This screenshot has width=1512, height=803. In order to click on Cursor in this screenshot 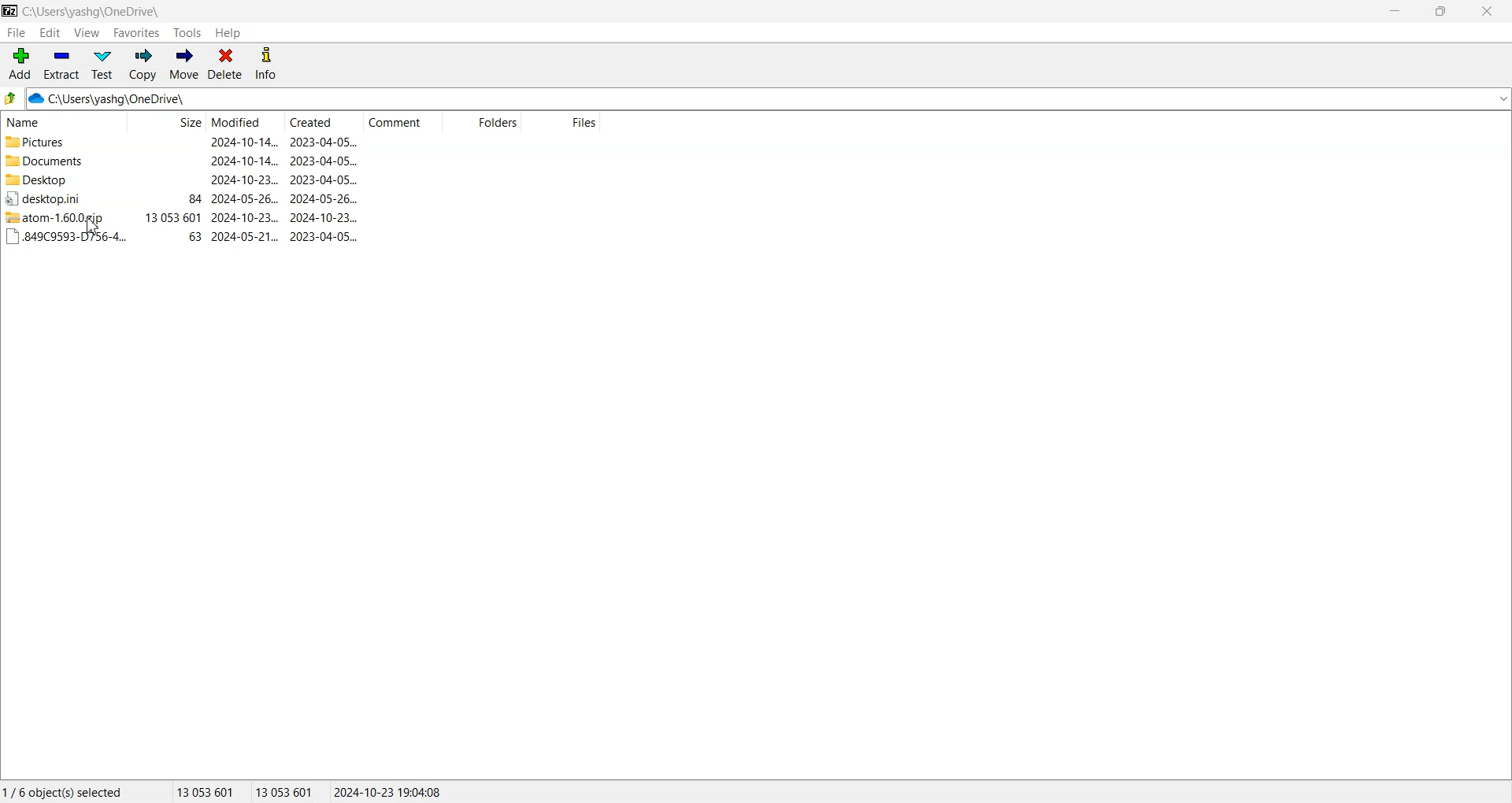, I will do `click(94, 226)`.